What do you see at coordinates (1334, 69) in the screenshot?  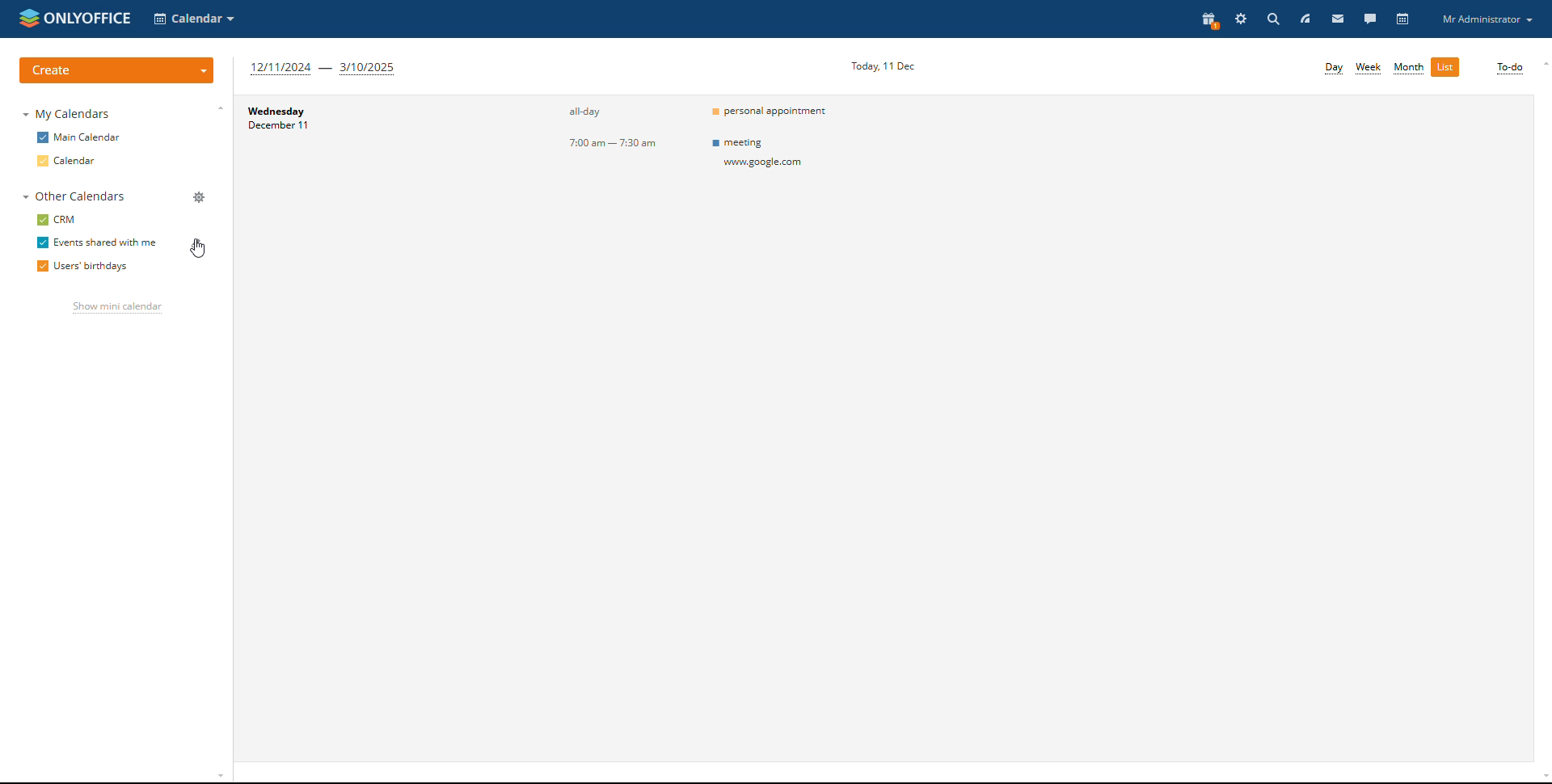 I see `day view` at bounding box center [1334, 69].